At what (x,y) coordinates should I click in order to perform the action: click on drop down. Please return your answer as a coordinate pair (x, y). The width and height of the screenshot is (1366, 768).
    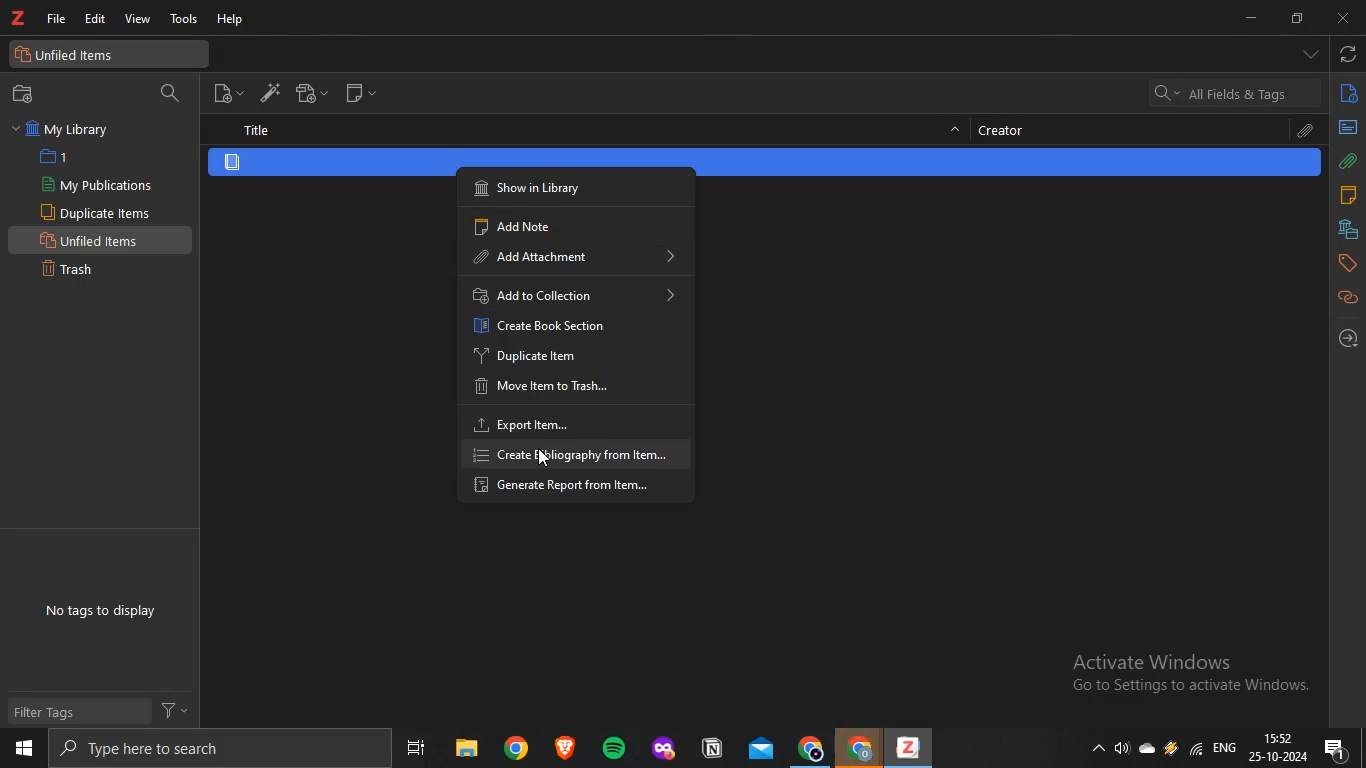
    Looking at the image, I should click on (1311, 54).